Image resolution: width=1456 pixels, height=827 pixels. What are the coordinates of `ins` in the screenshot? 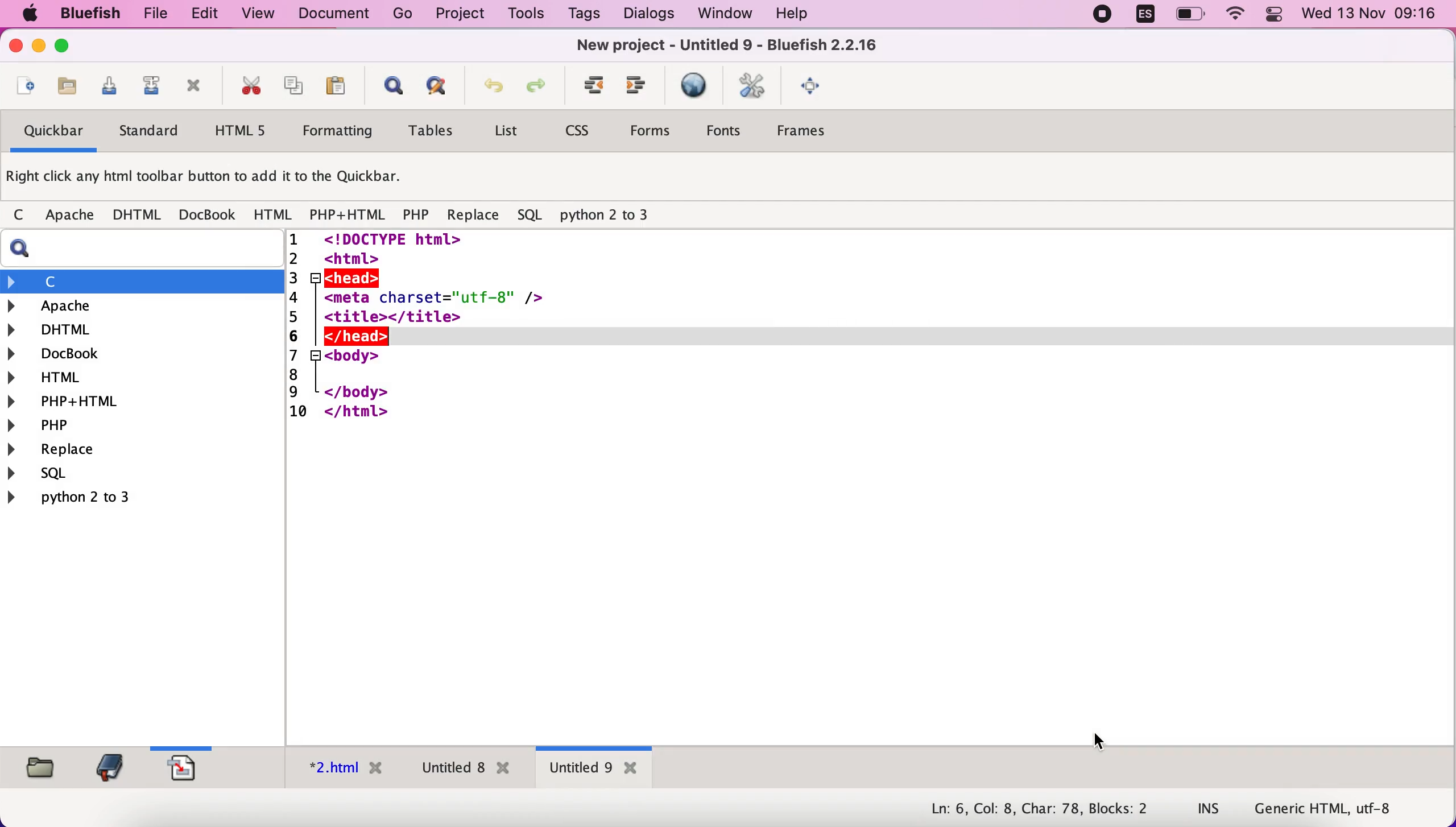 It's located at (1209, 810).